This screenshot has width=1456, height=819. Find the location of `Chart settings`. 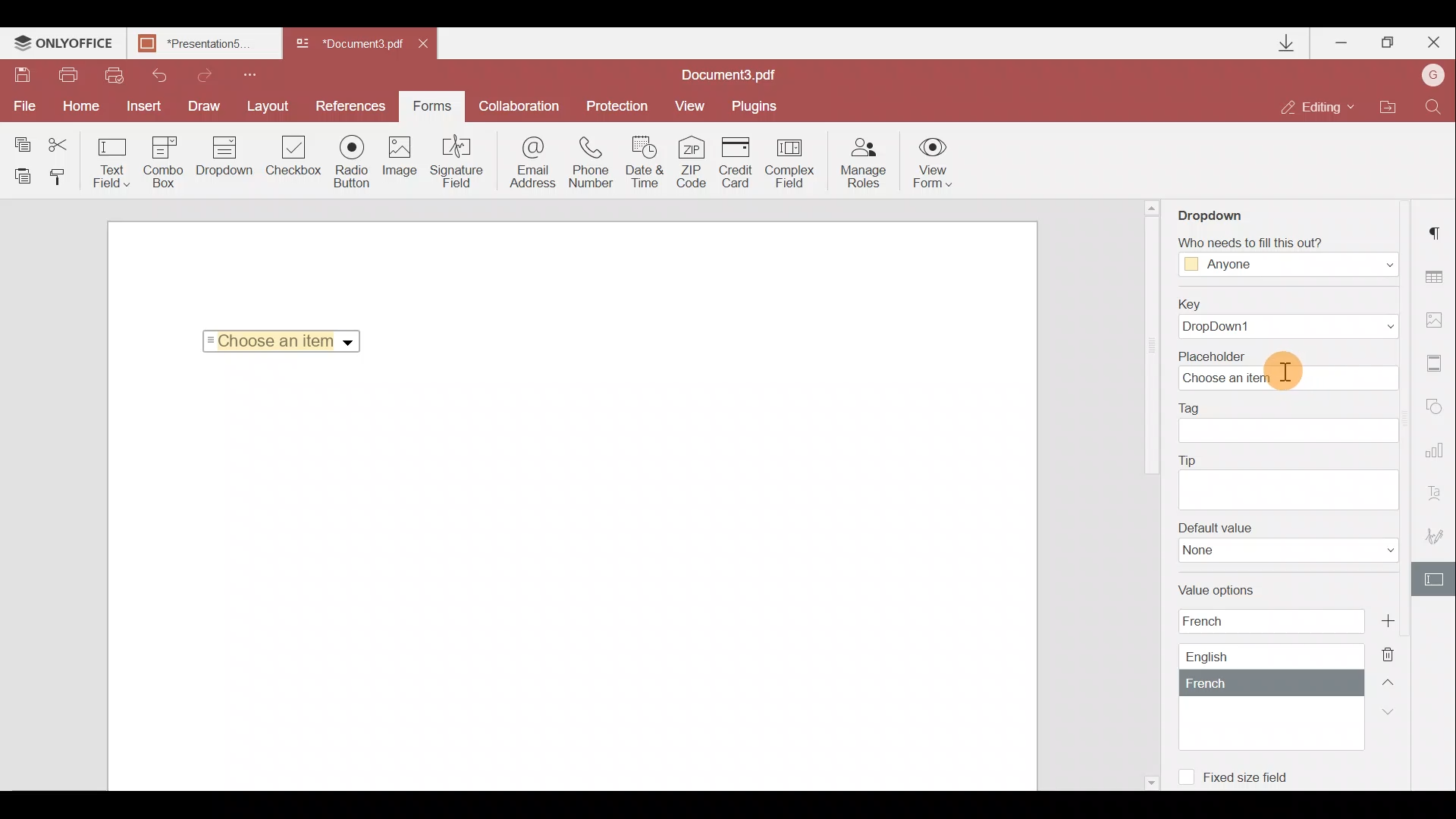

Chart settings is located at coordinates (1437, 457).